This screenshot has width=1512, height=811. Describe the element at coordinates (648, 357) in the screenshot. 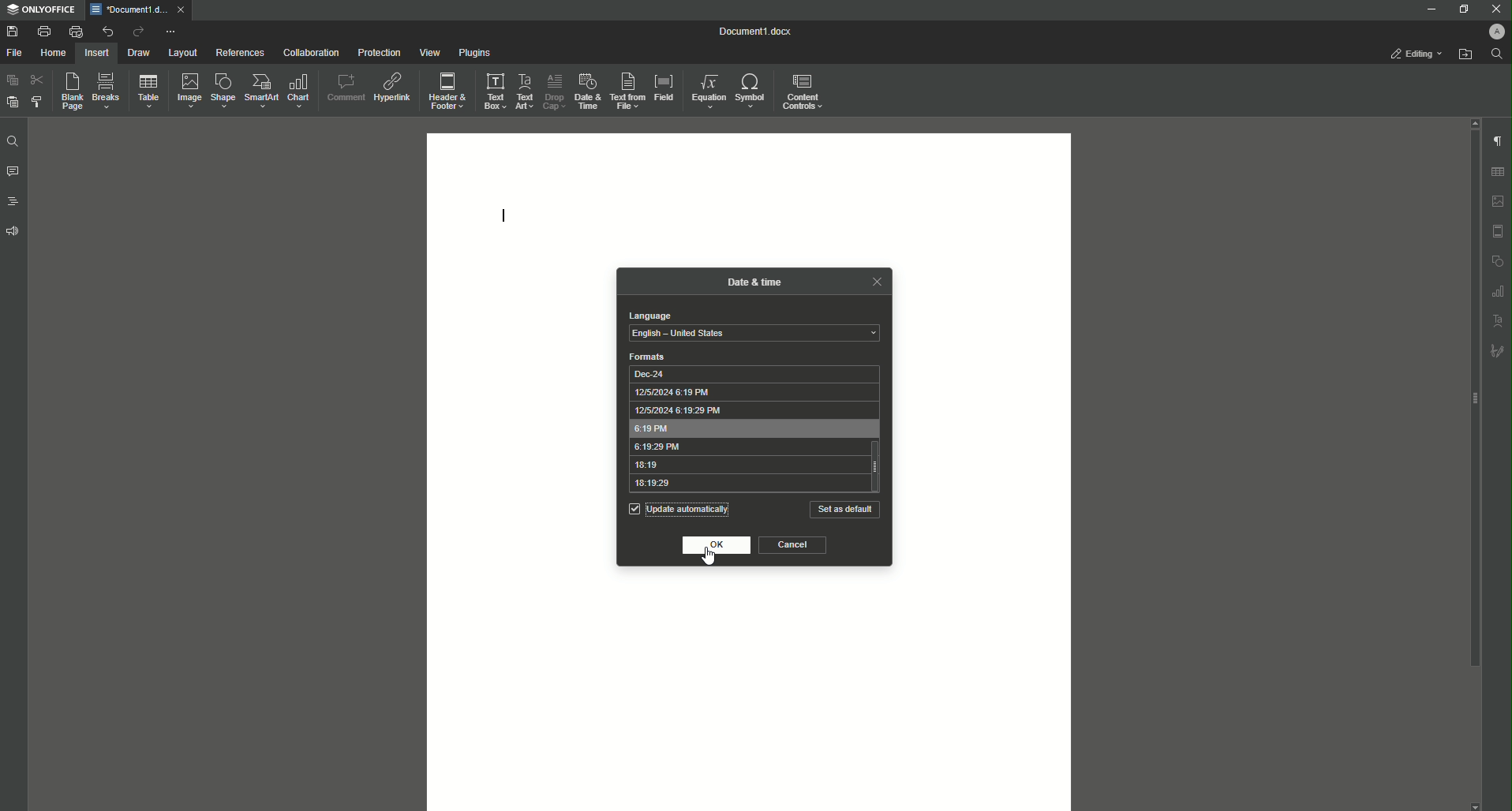

I see `formats` at that location.